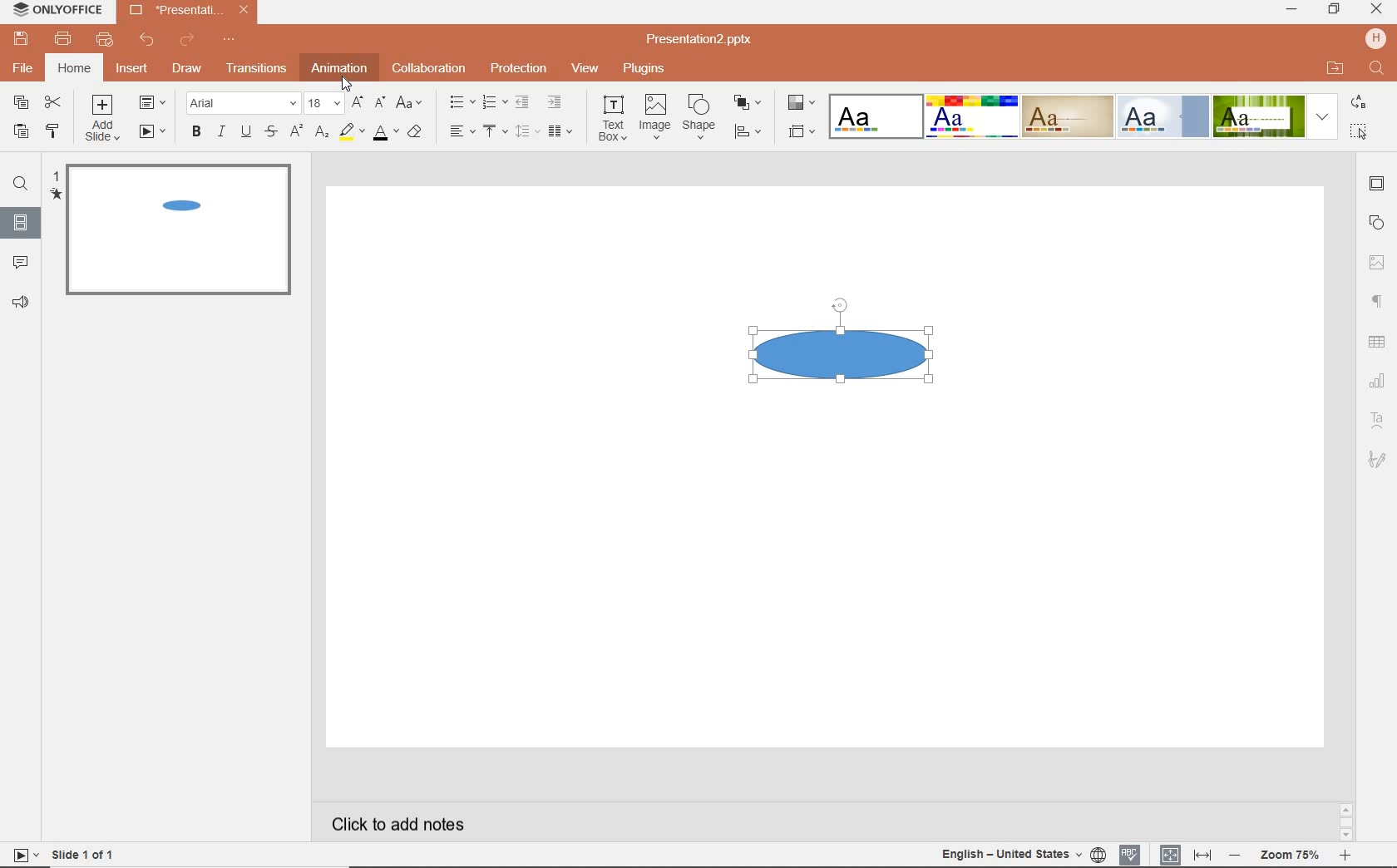 This screenshot has height=868, width=1397. I want to click on image settings, so click(1377, 262).